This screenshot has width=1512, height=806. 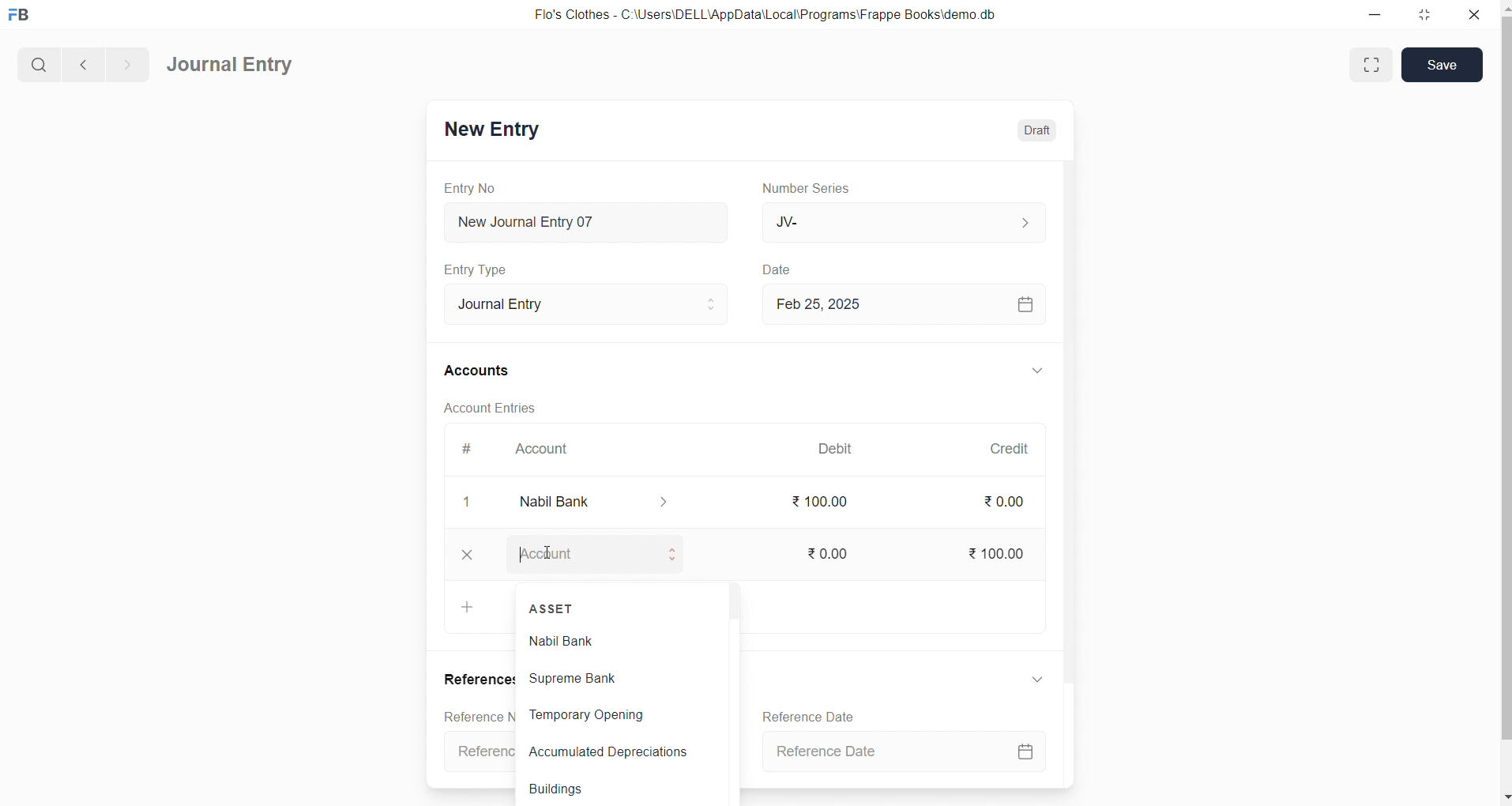 I want to click on Credit, so click(x=1017, y=448).